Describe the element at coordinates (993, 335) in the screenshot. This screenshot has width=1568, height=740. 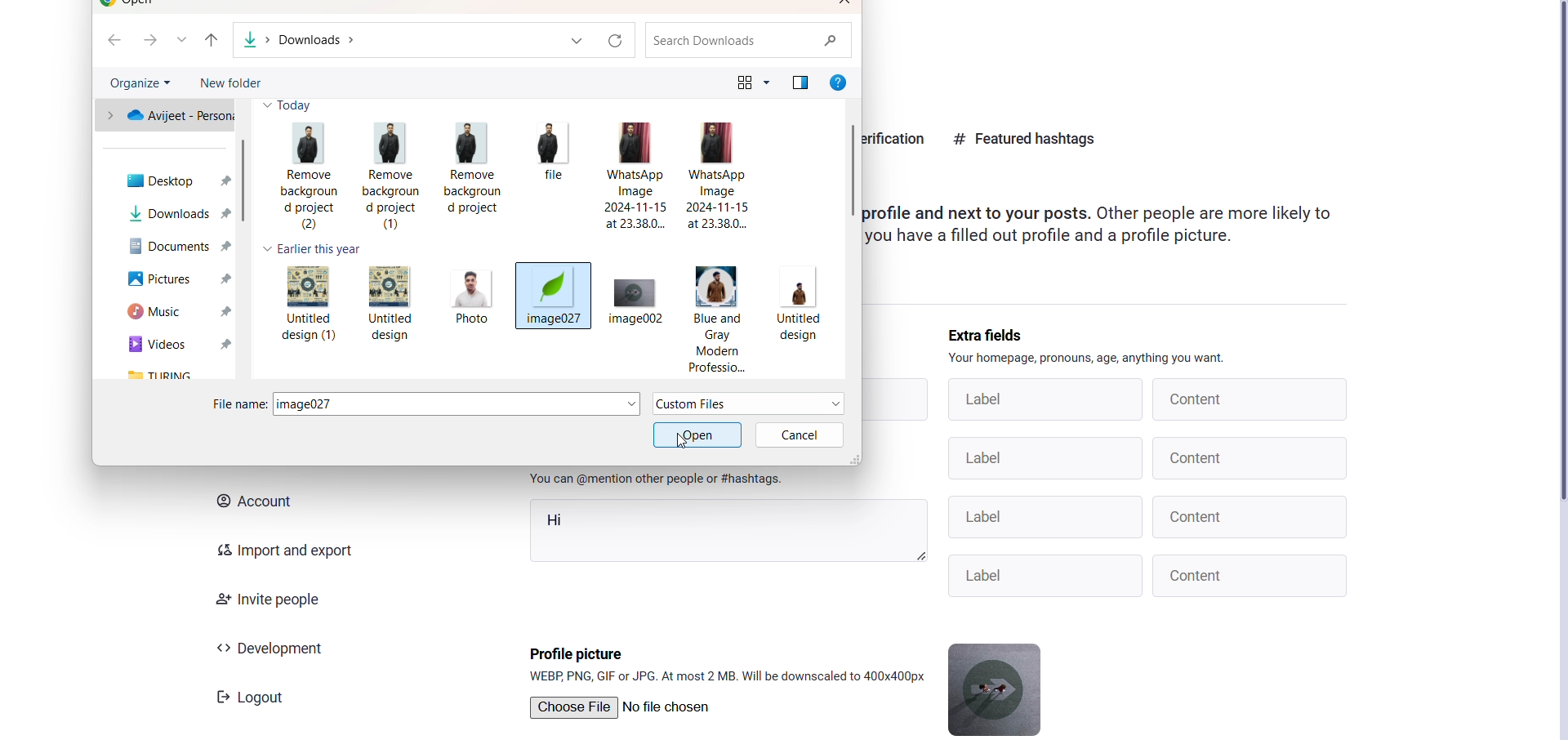
I see `extra fields` at that location.